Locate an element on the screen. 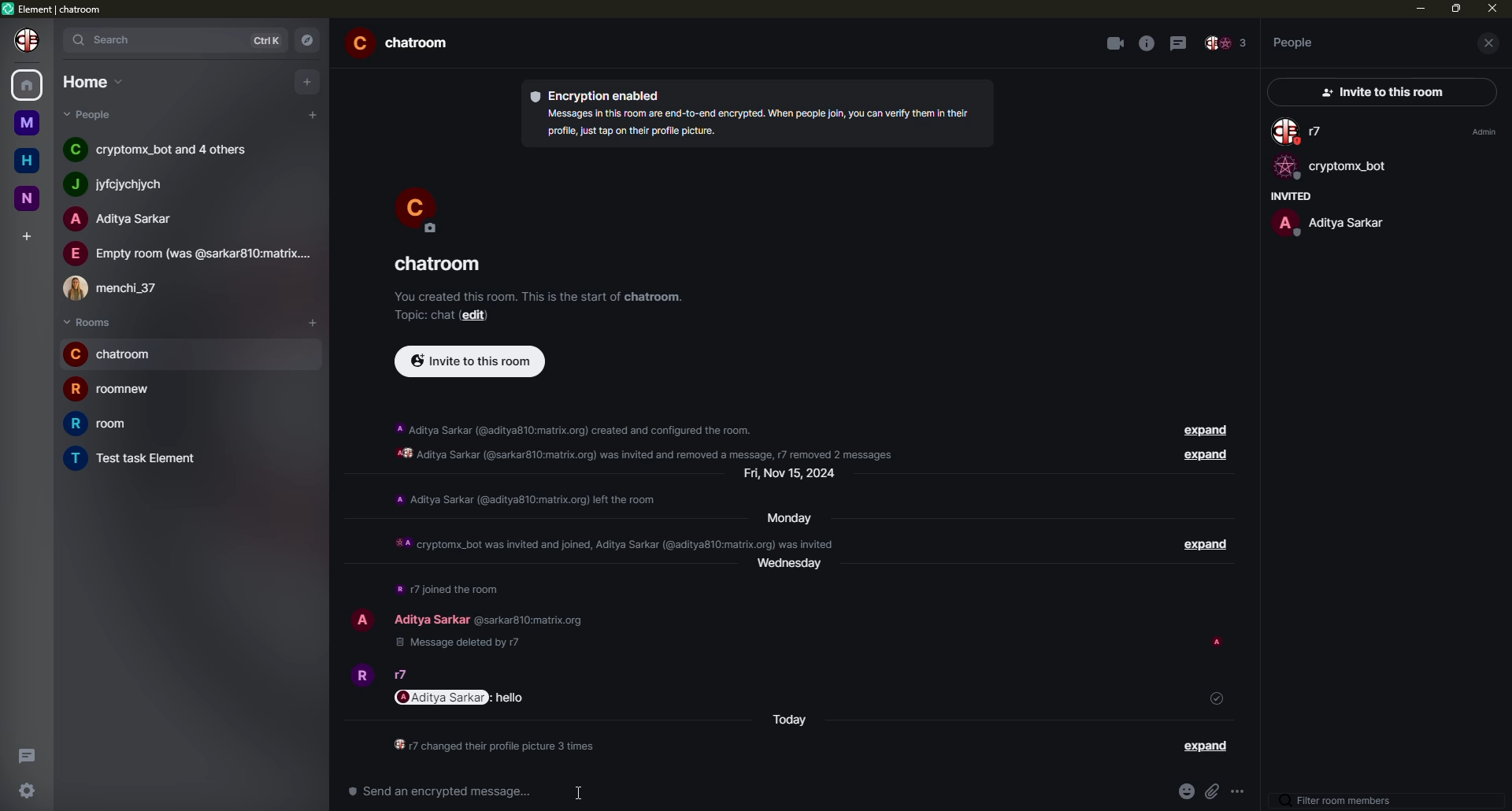  topic is located at coordinates (421, 315).